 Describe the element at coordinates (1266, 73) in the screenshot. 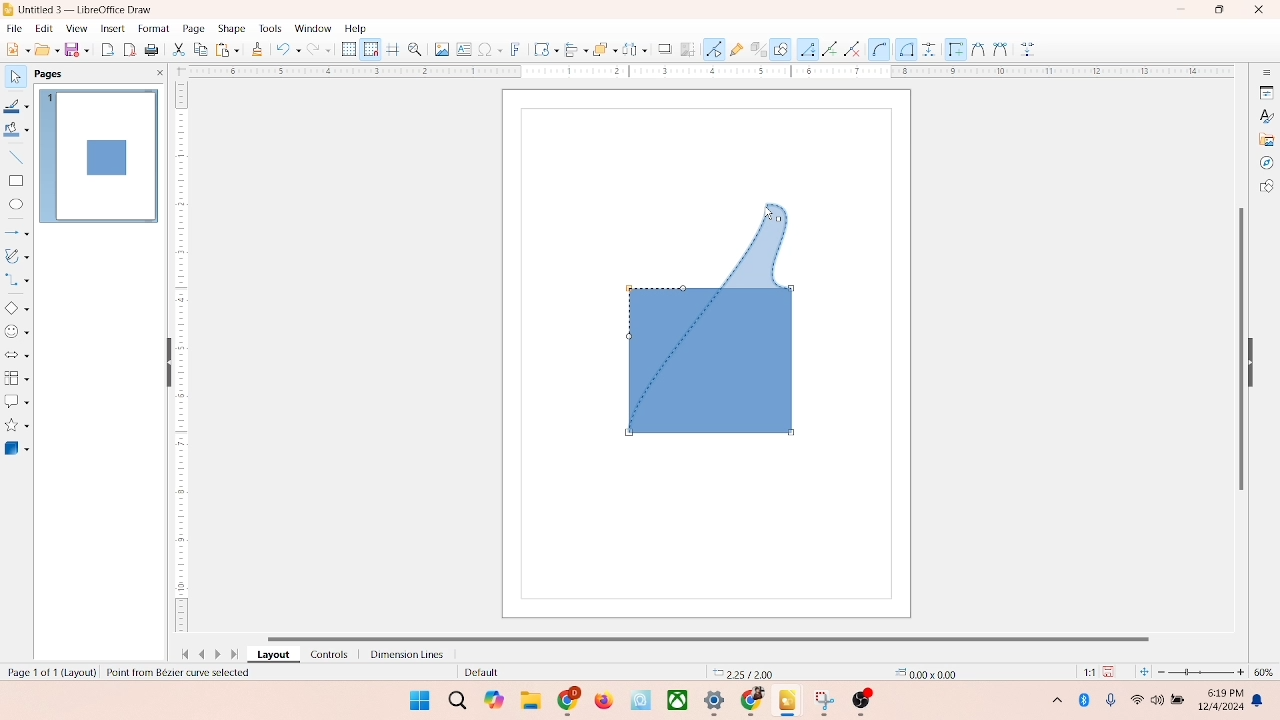

I see `sidebar settings` at that location.